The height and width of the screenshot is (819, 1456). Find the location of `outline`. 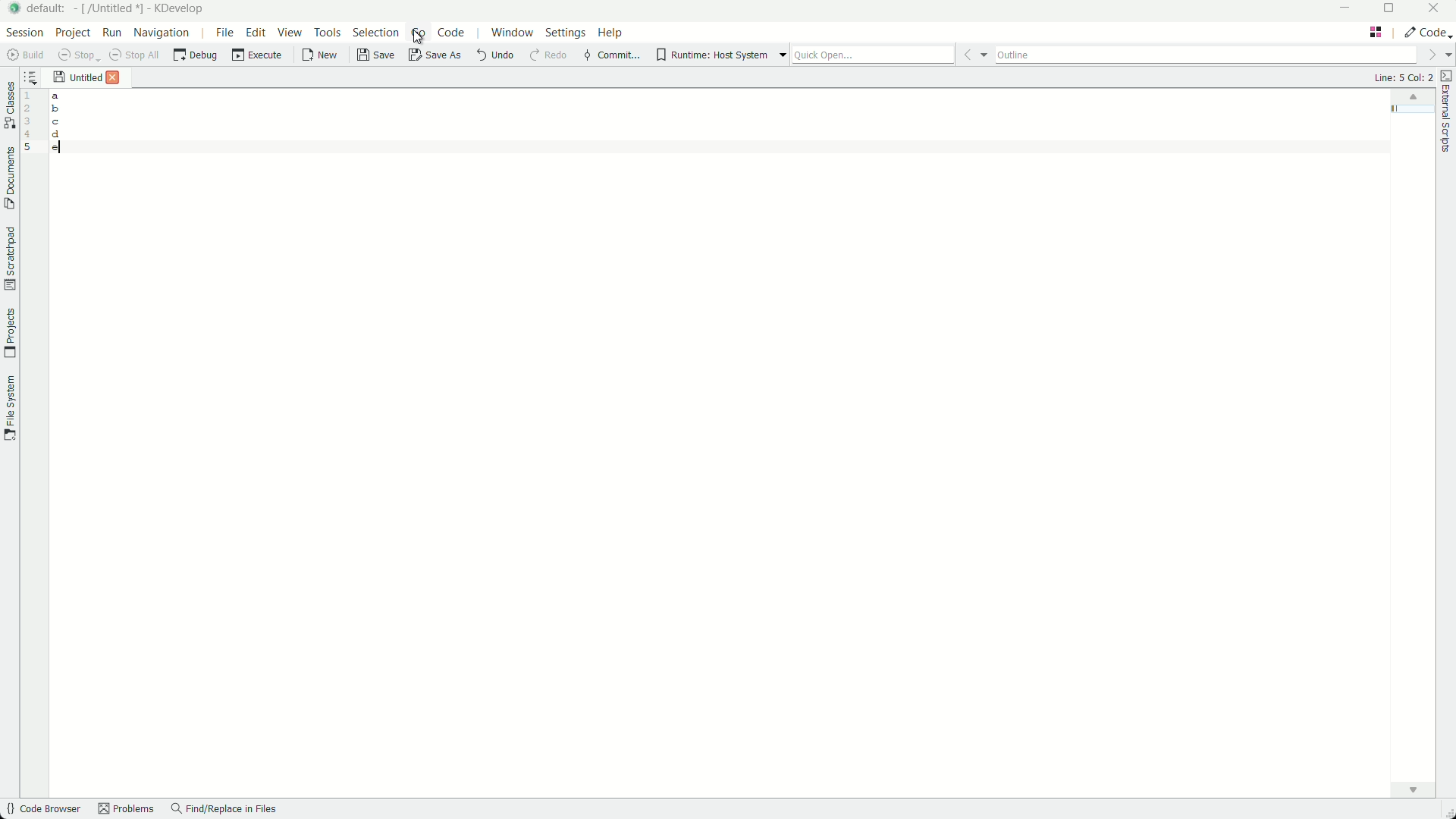

outline is located at coordinates (1221, 55).